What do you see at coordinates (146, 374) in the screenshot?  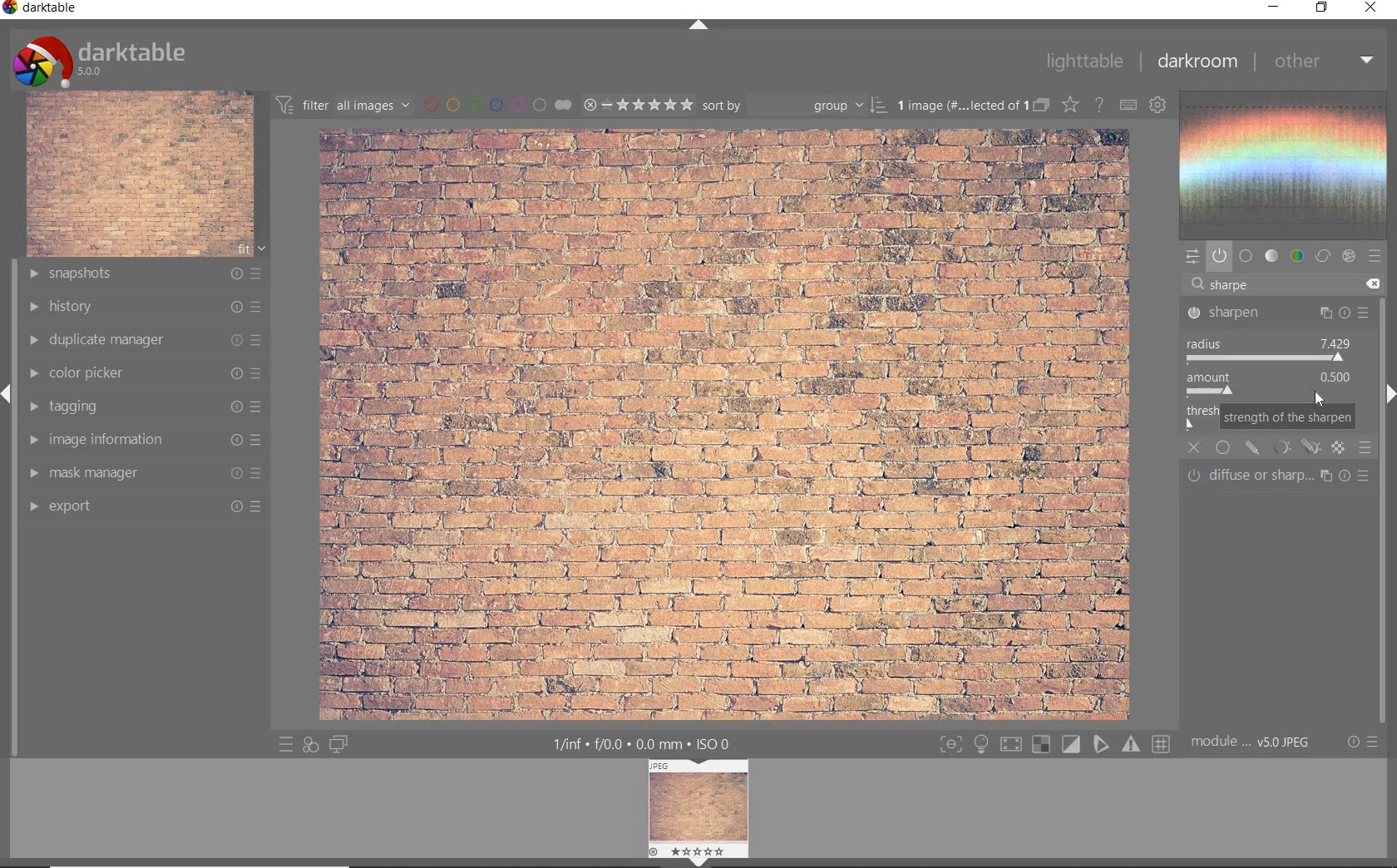 I see `color picker` at bounding box center [146, 374].